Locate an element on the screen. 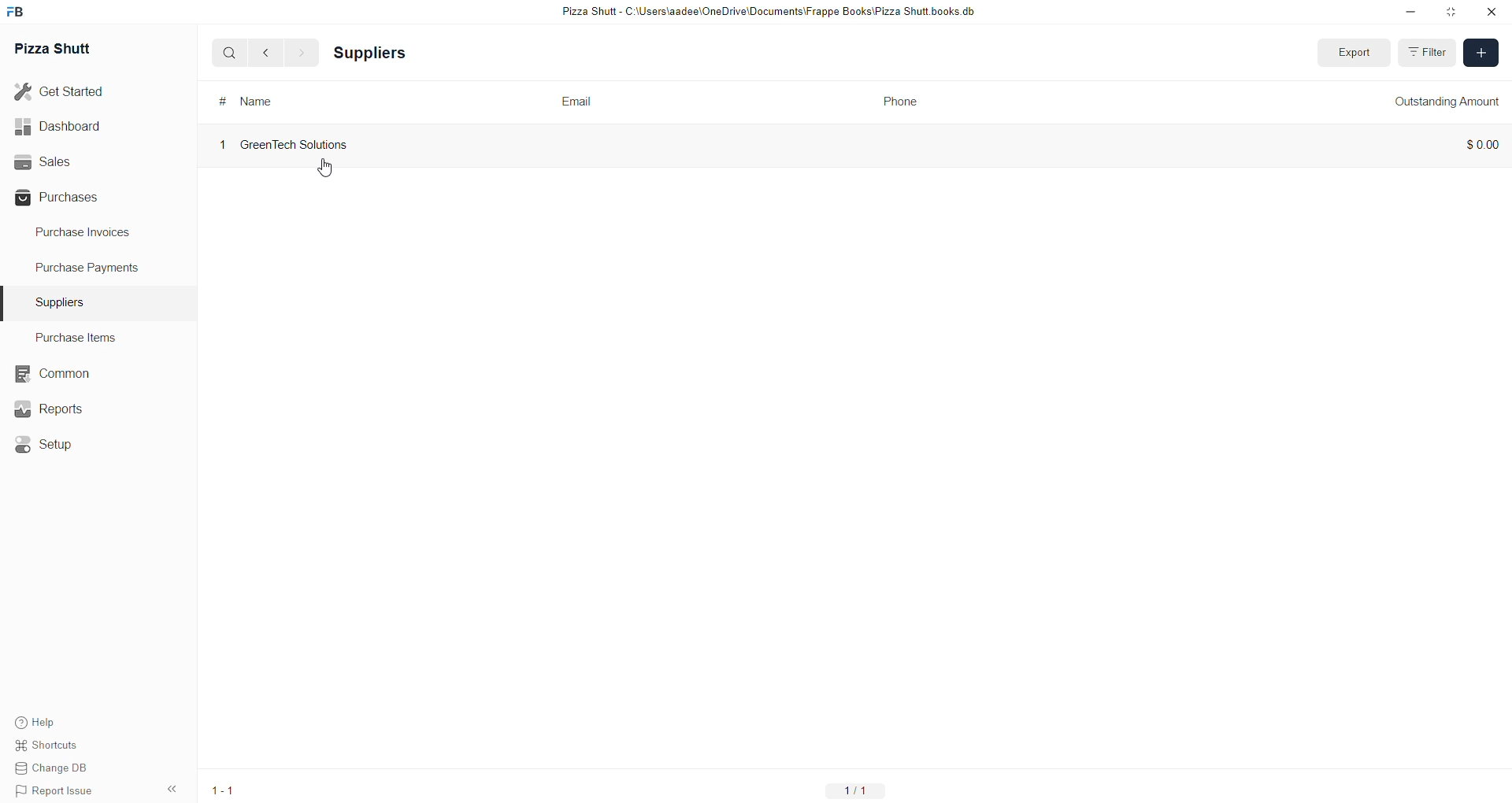 This screenshot has height=803, width=1512. Purchase Items is located at coordinates (81, 337).